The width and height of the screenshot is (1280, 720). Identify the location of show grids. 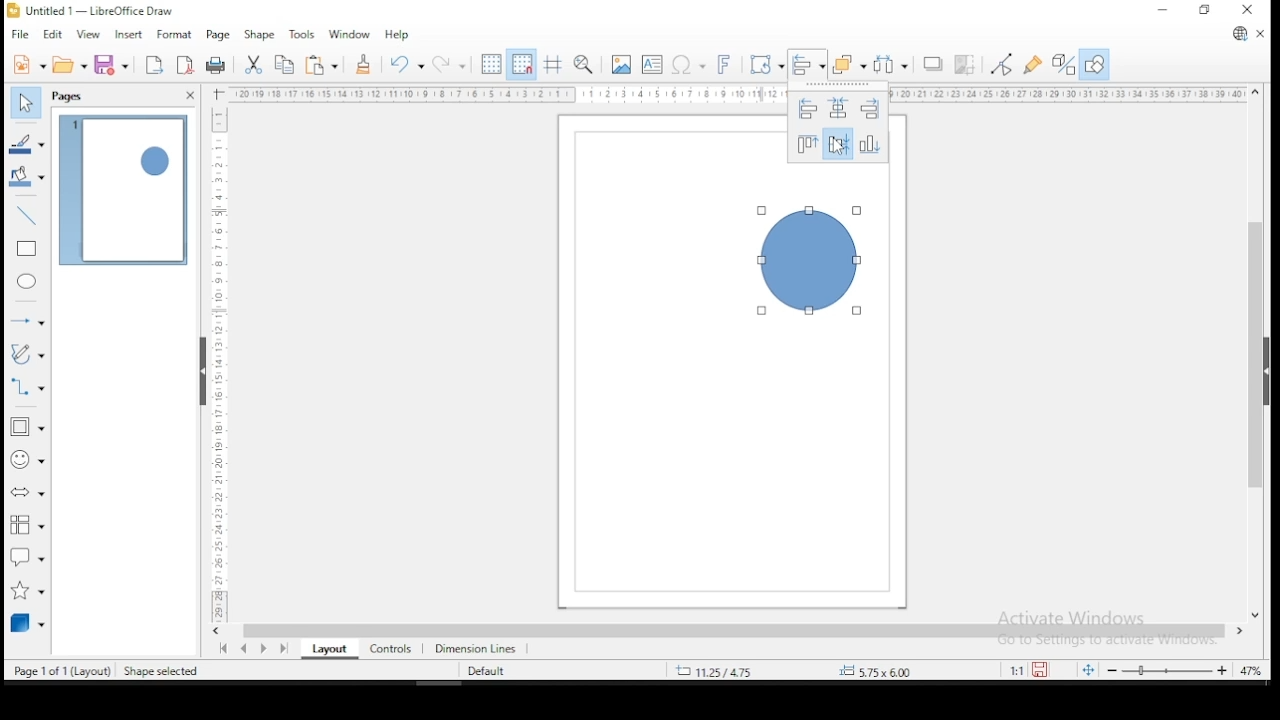
(489, 66).